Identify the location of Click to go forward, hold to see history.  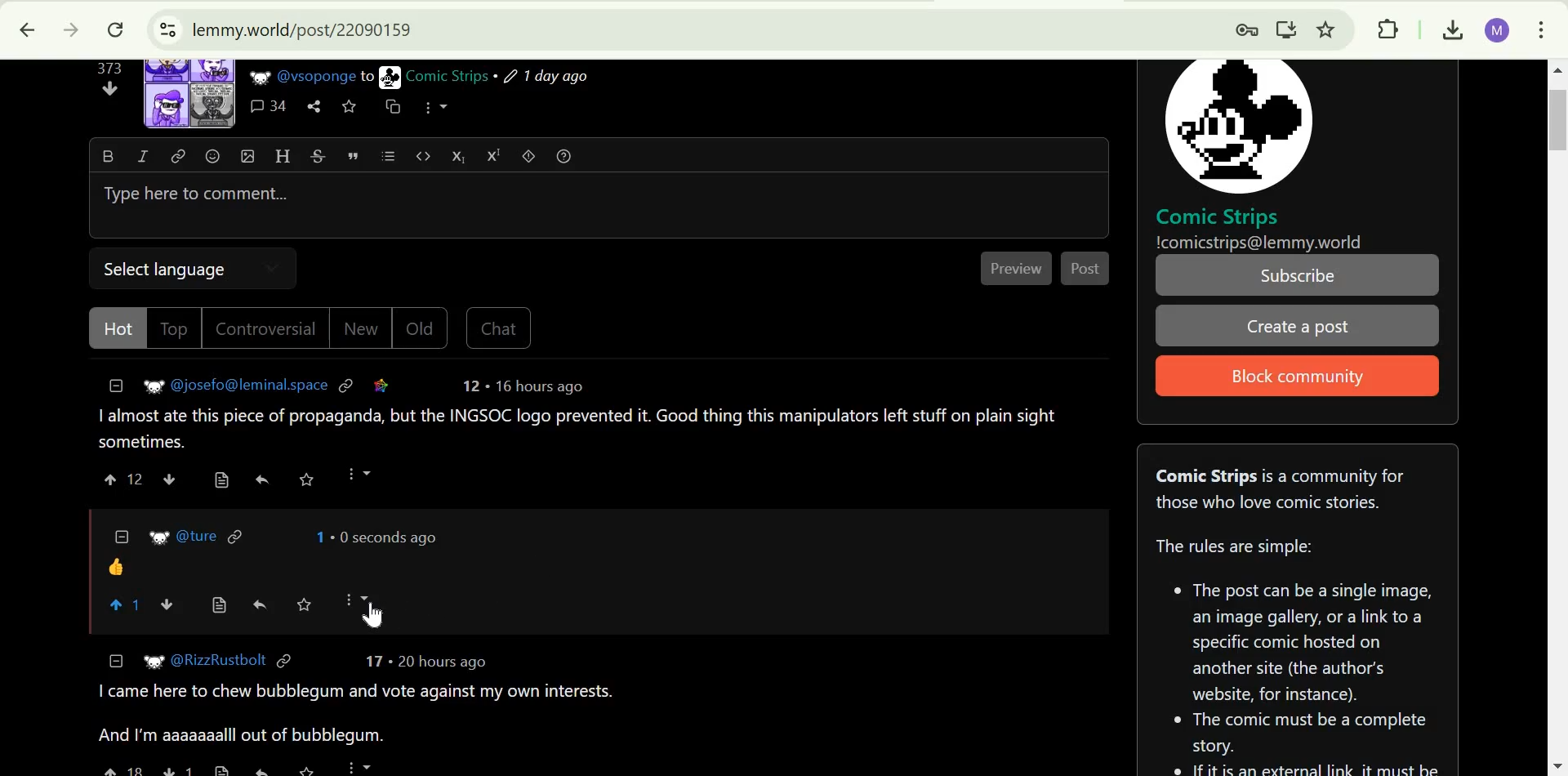
(68, 30).